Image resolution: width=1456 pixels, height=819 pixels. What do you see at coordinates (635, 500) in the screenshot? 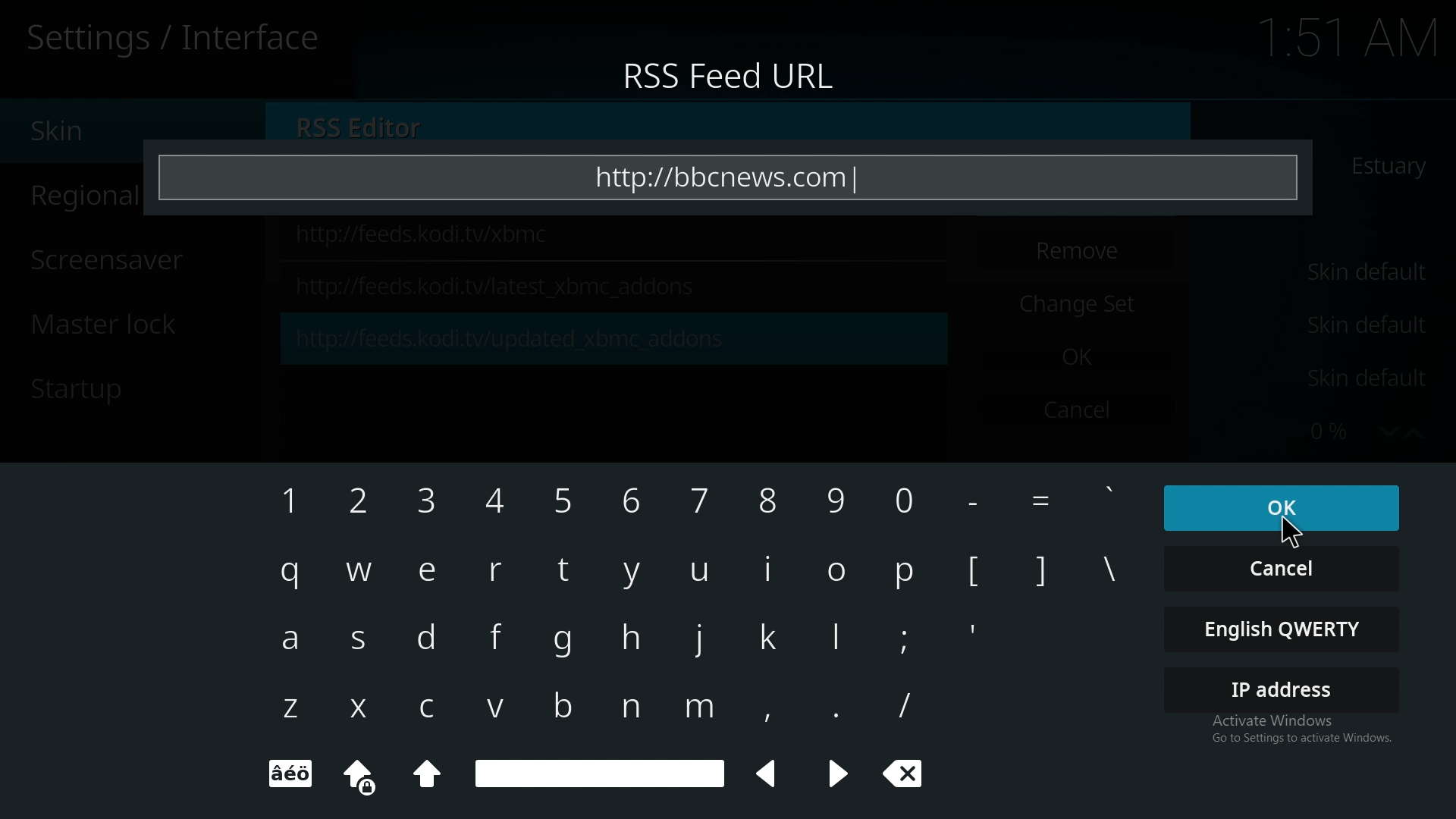
I see `keyboard Input` at bounding box center [635, 500].